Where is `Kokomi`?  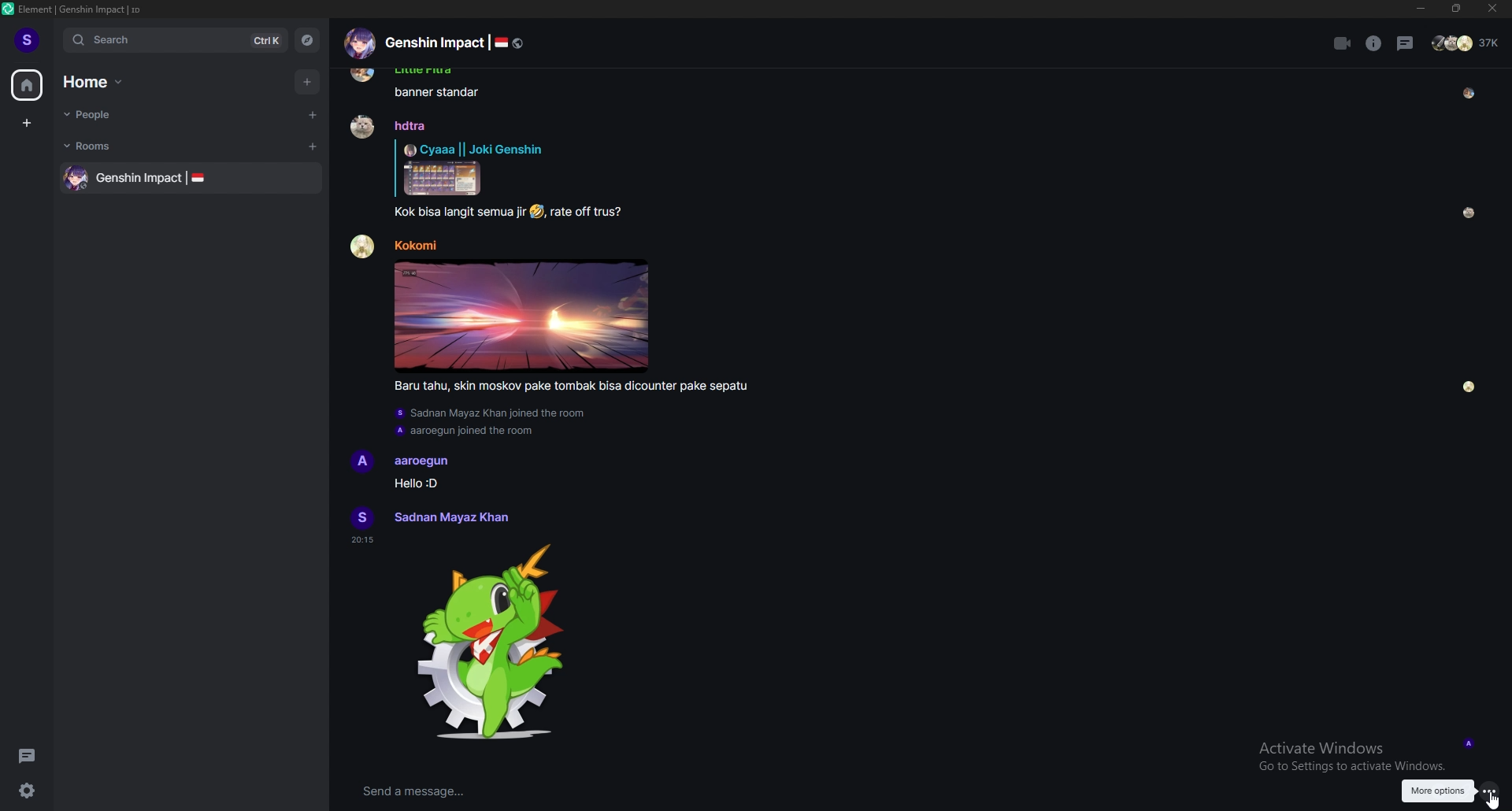 Kokomi is located at coordinates (415, 245).